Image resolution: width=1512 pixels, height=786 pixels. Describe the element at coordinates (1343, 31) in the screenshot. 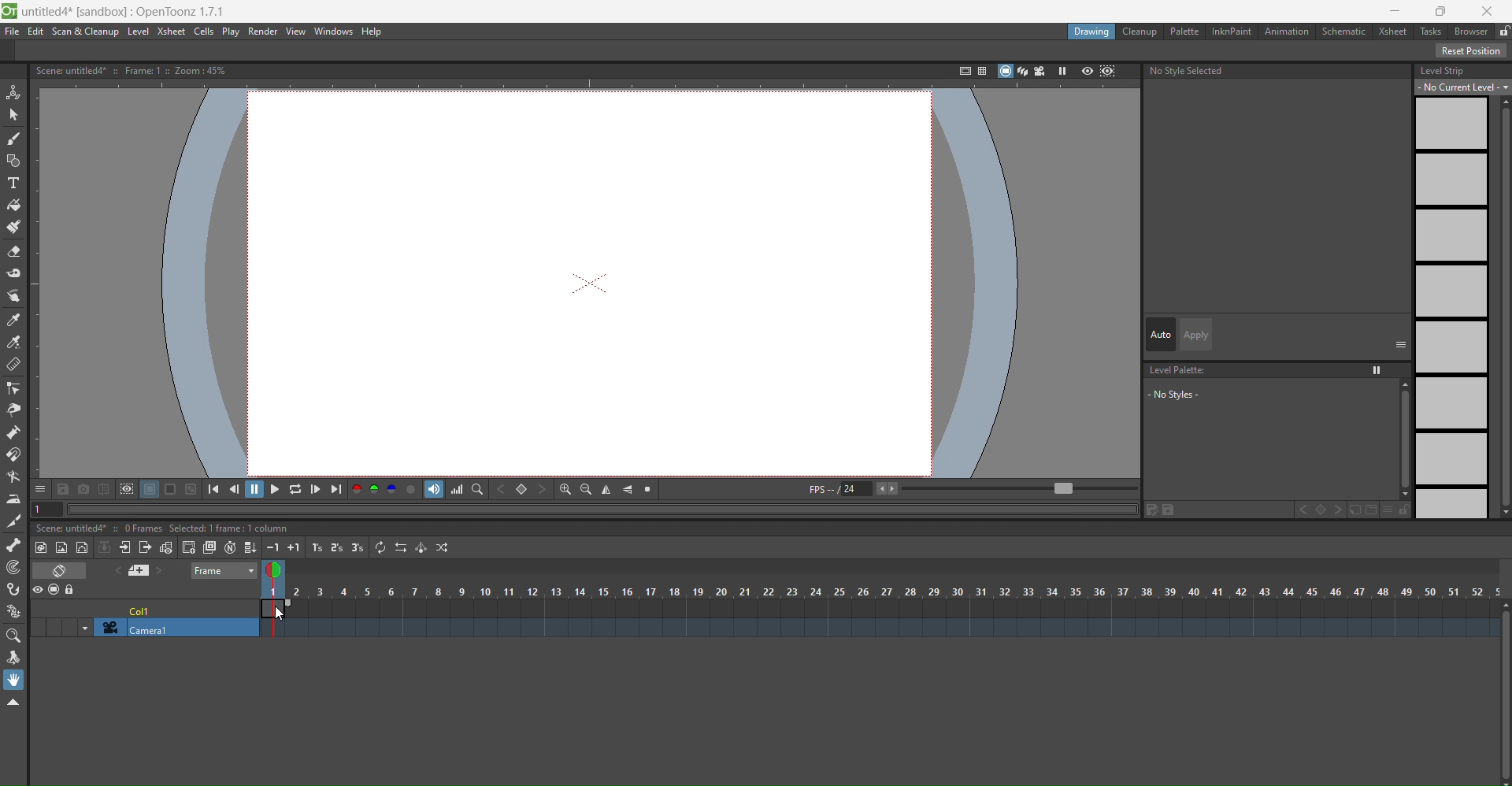

I see `schematic` at that location.